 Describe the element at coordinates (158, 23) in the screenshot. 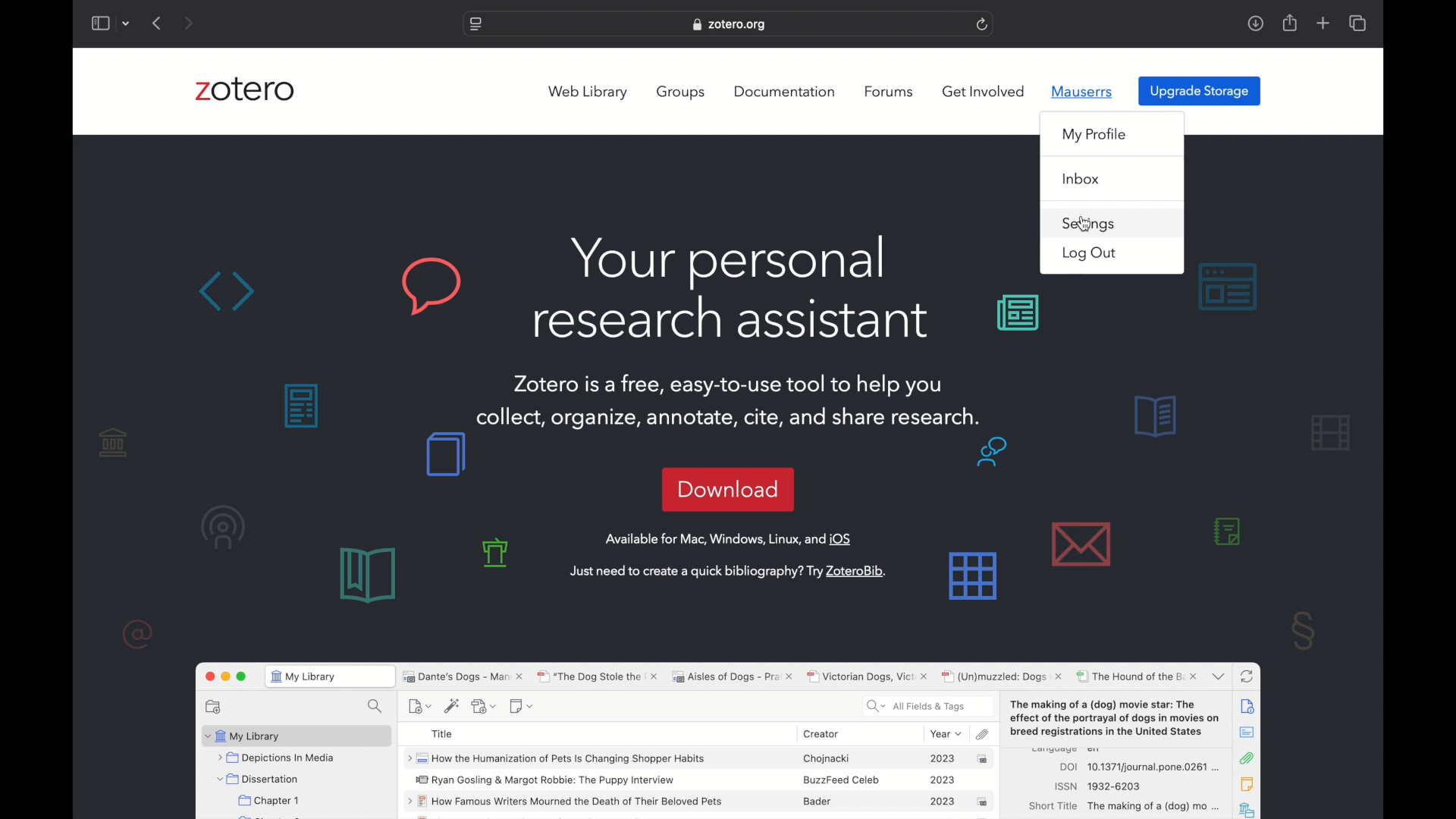

I see `previous` at that location.